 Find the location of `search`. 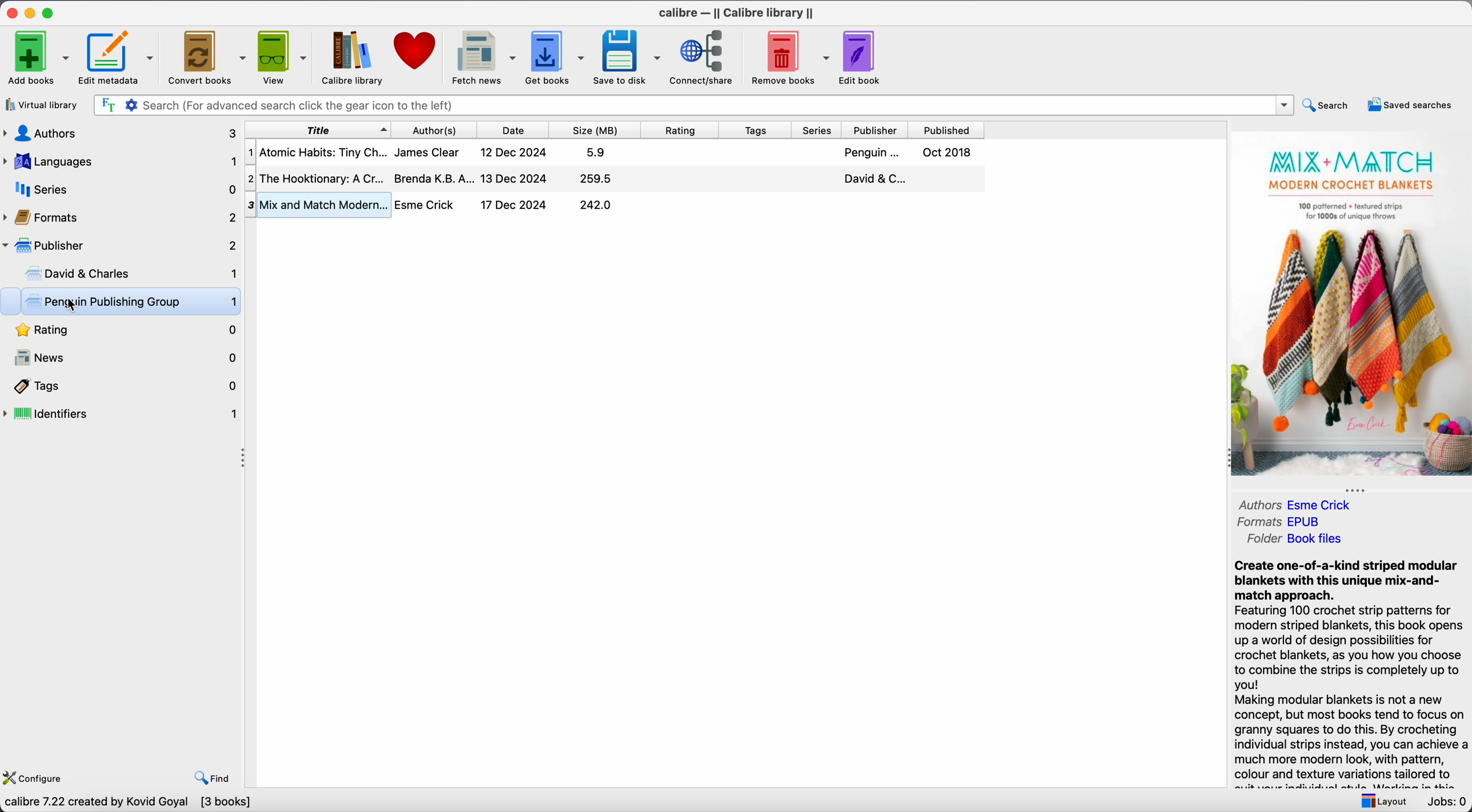

search is located at coordinates (1327, 104).